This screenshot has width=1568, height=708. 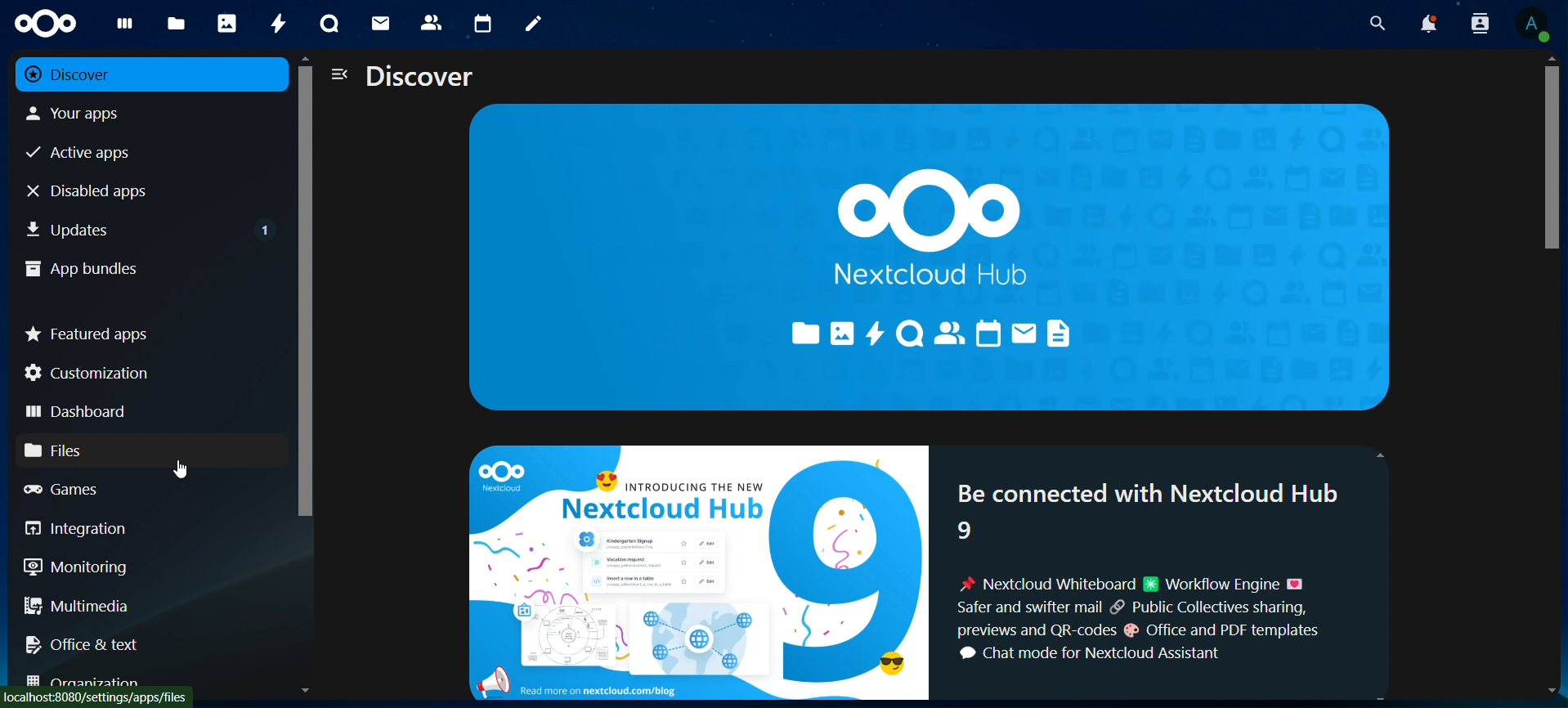 I want to click on discover, so click(x=420, y=74).